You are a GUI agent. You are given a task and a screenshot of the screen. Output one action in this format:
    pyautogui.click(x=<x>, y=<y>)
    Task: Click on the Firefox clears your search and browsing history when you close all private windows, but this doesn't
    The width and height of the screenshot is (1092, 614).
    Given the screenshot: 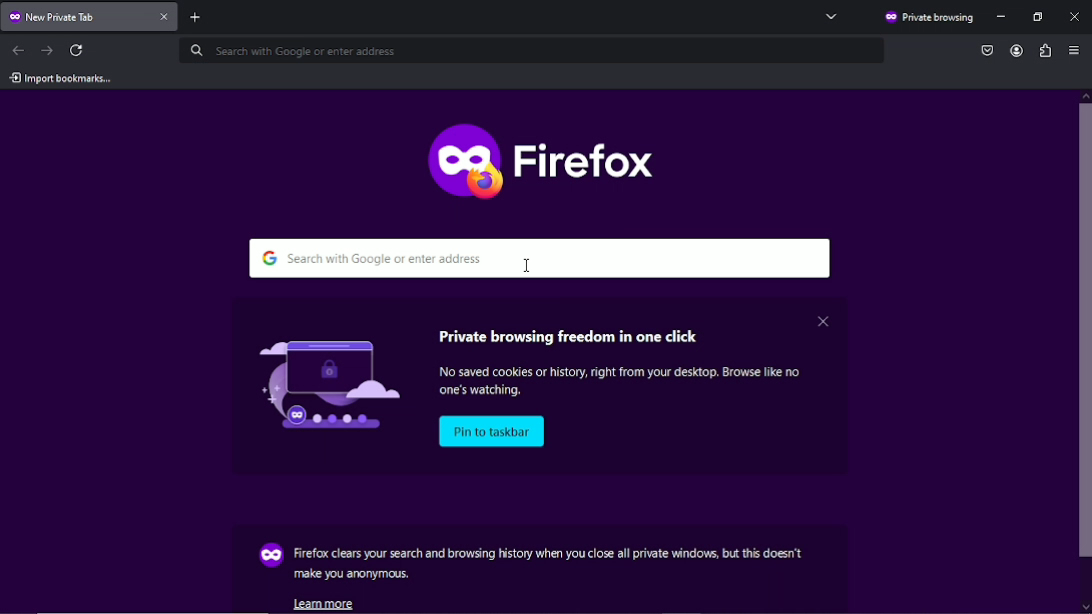 What is the action you would take?
    pyautogui.click(x=549, y=553)
    